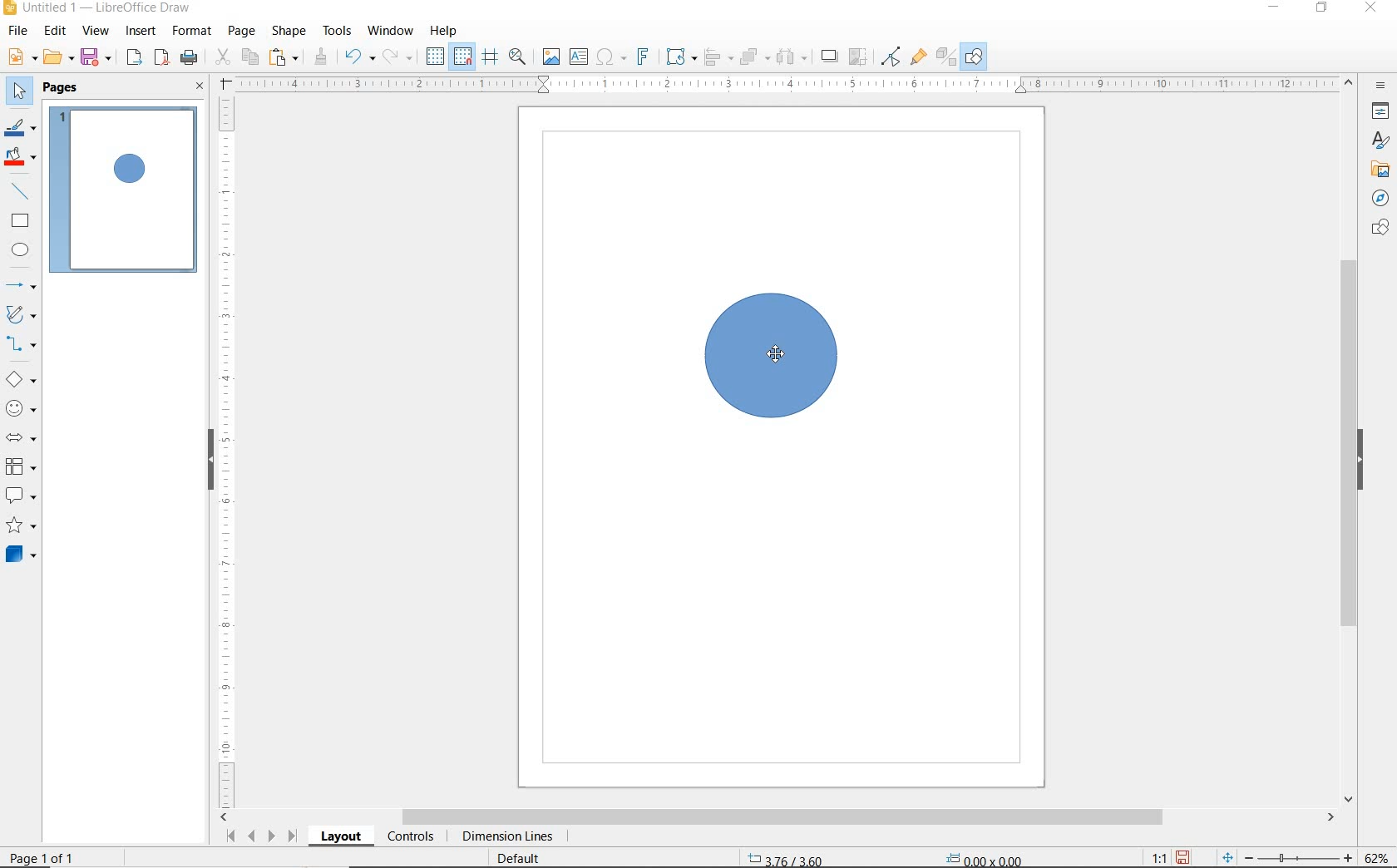 The image size is (1397, 868). Describe the element at coordinates (23, 283) in the screenshot. I see `LINES AND ARROWS` at that location.